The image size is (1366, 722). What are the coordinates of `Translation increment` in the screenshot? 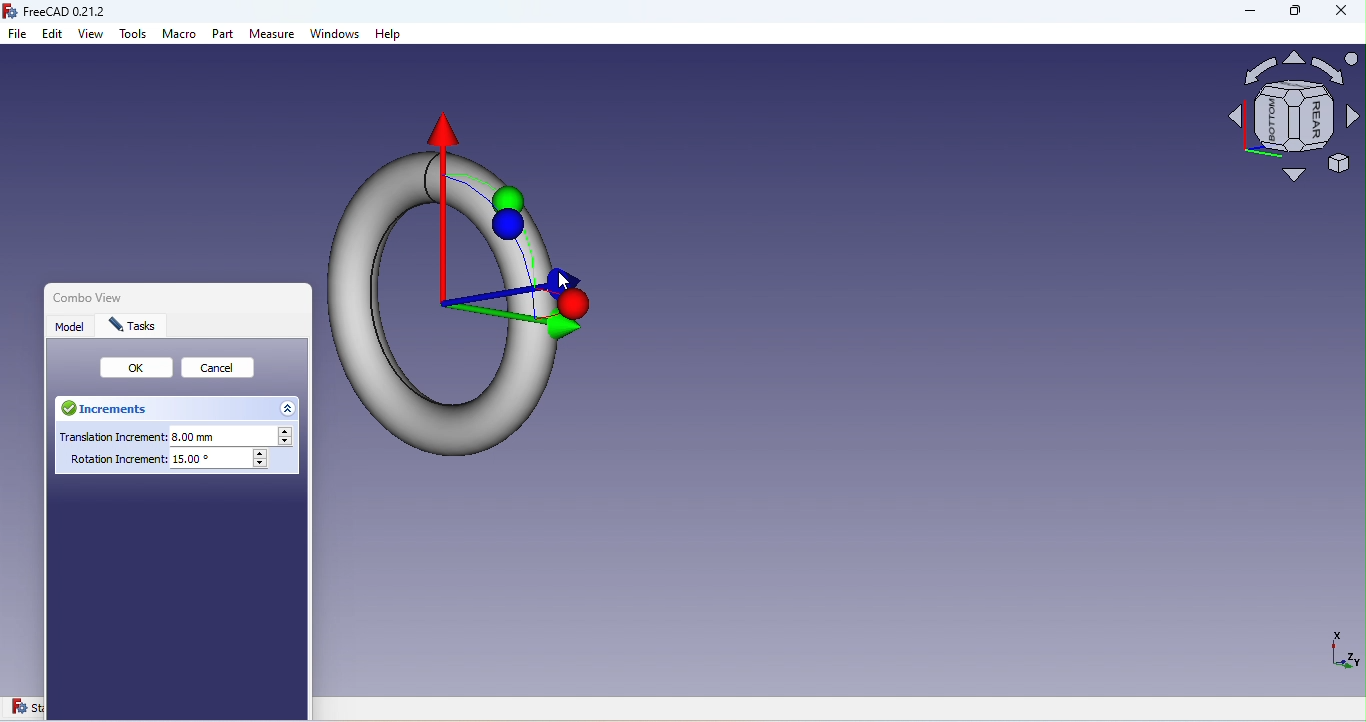 It's located at (163, 436).